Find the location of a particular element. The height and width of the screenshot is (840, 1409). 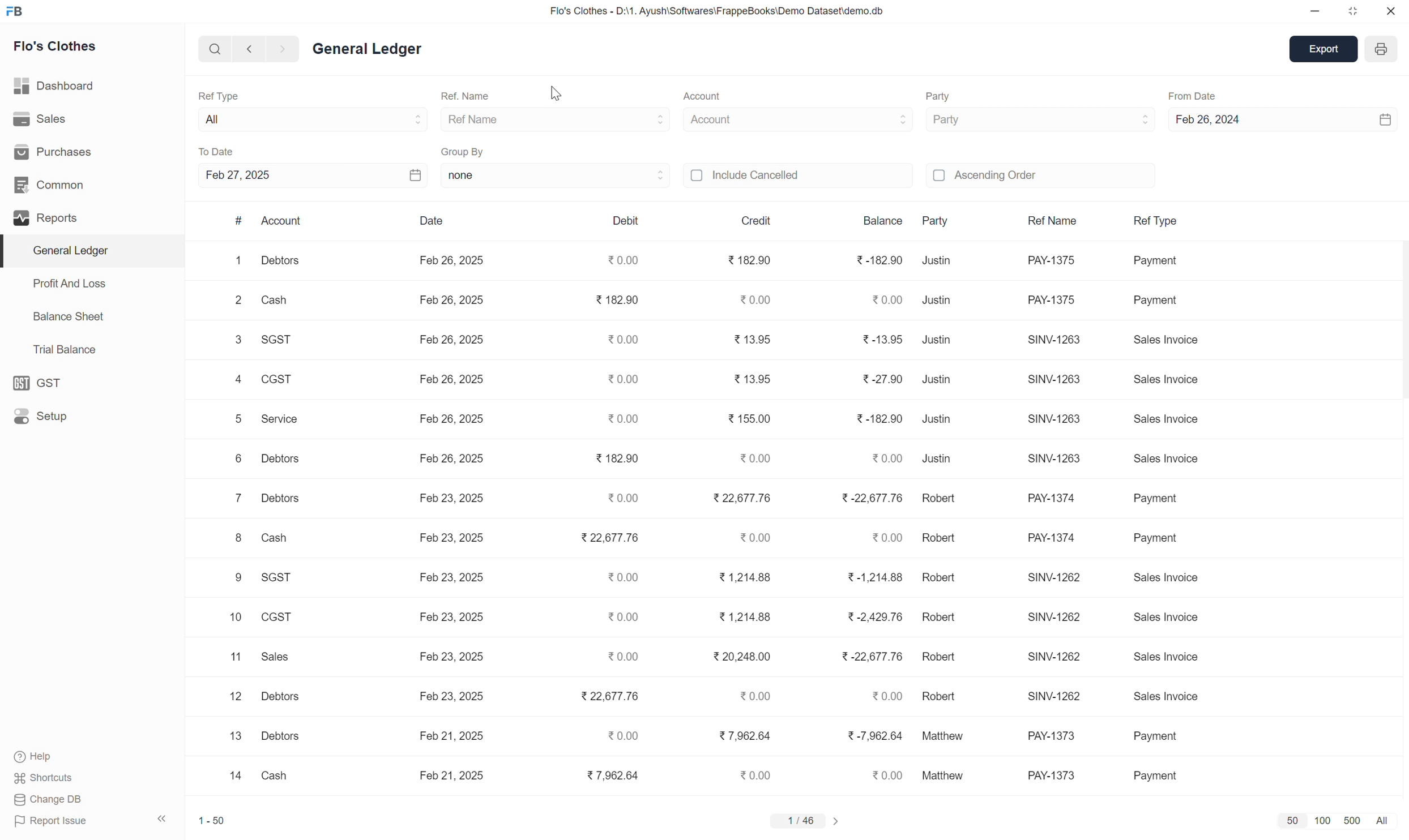

14 is located at coordinates (235, 775).